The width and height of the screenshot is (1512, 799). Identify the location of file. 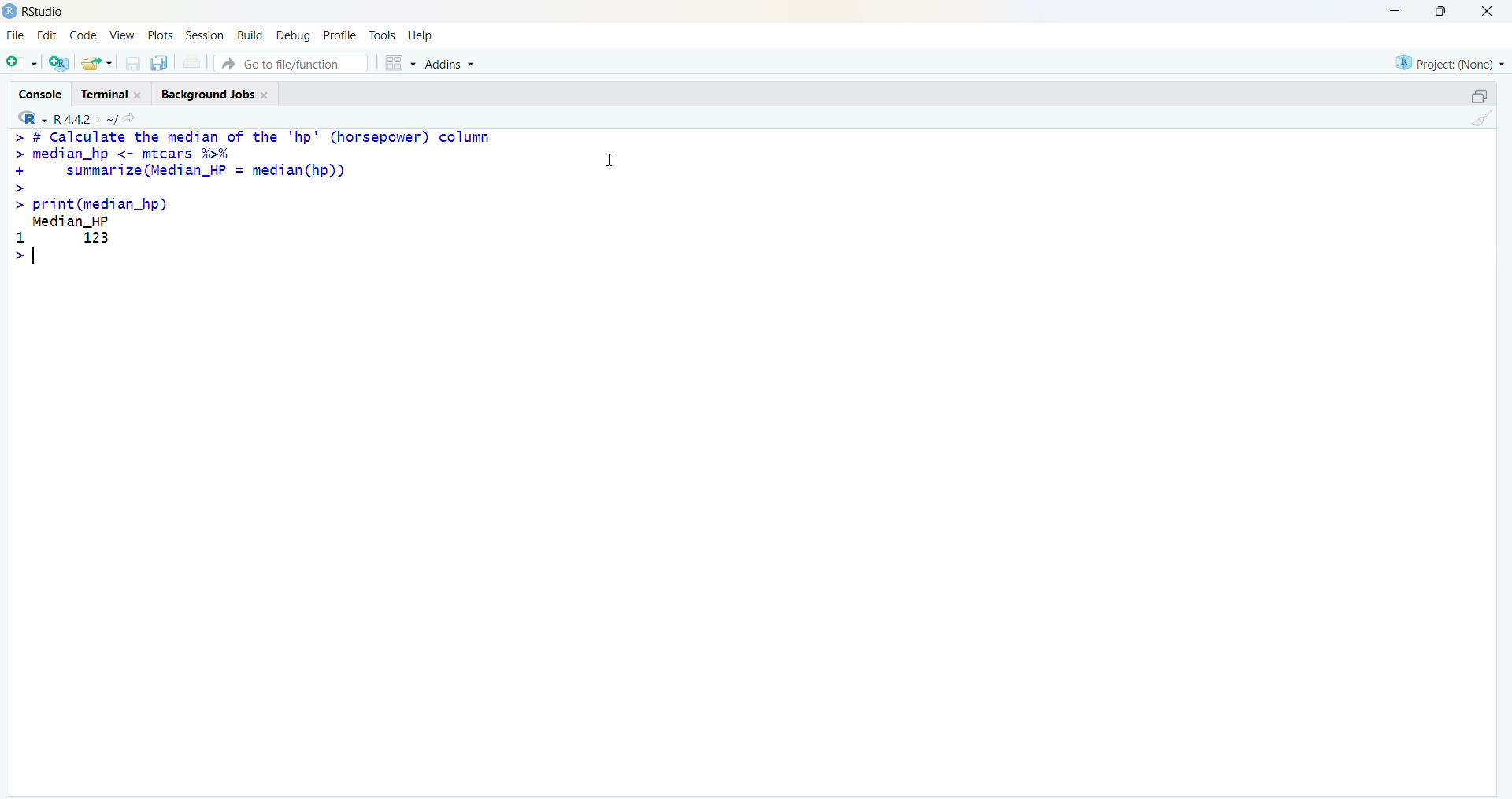
(16, 34).